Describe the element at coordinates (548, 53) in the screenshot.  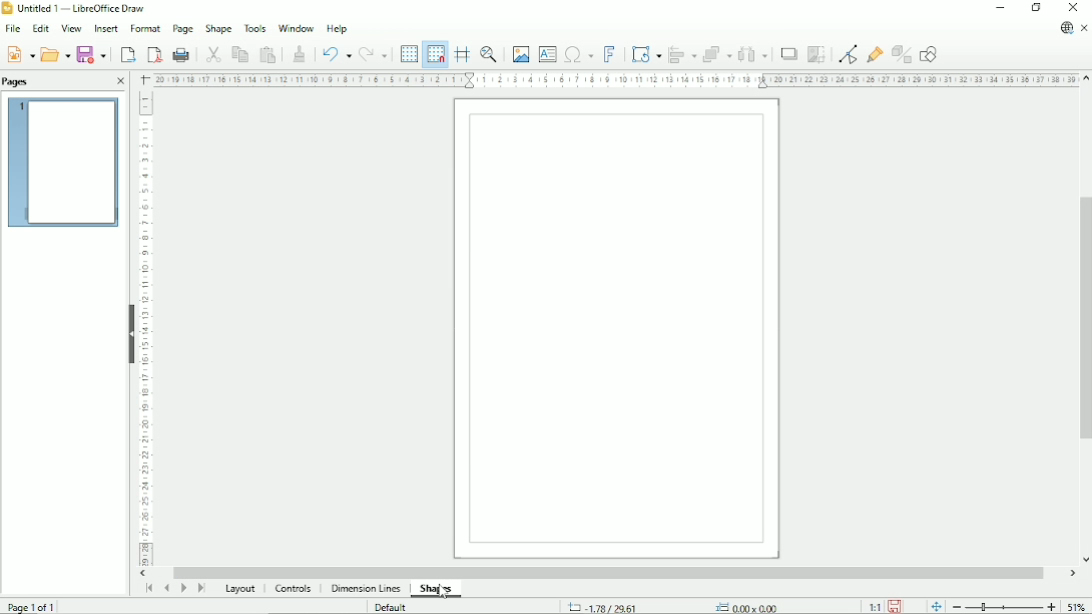
I see `Insert text box` at that location.